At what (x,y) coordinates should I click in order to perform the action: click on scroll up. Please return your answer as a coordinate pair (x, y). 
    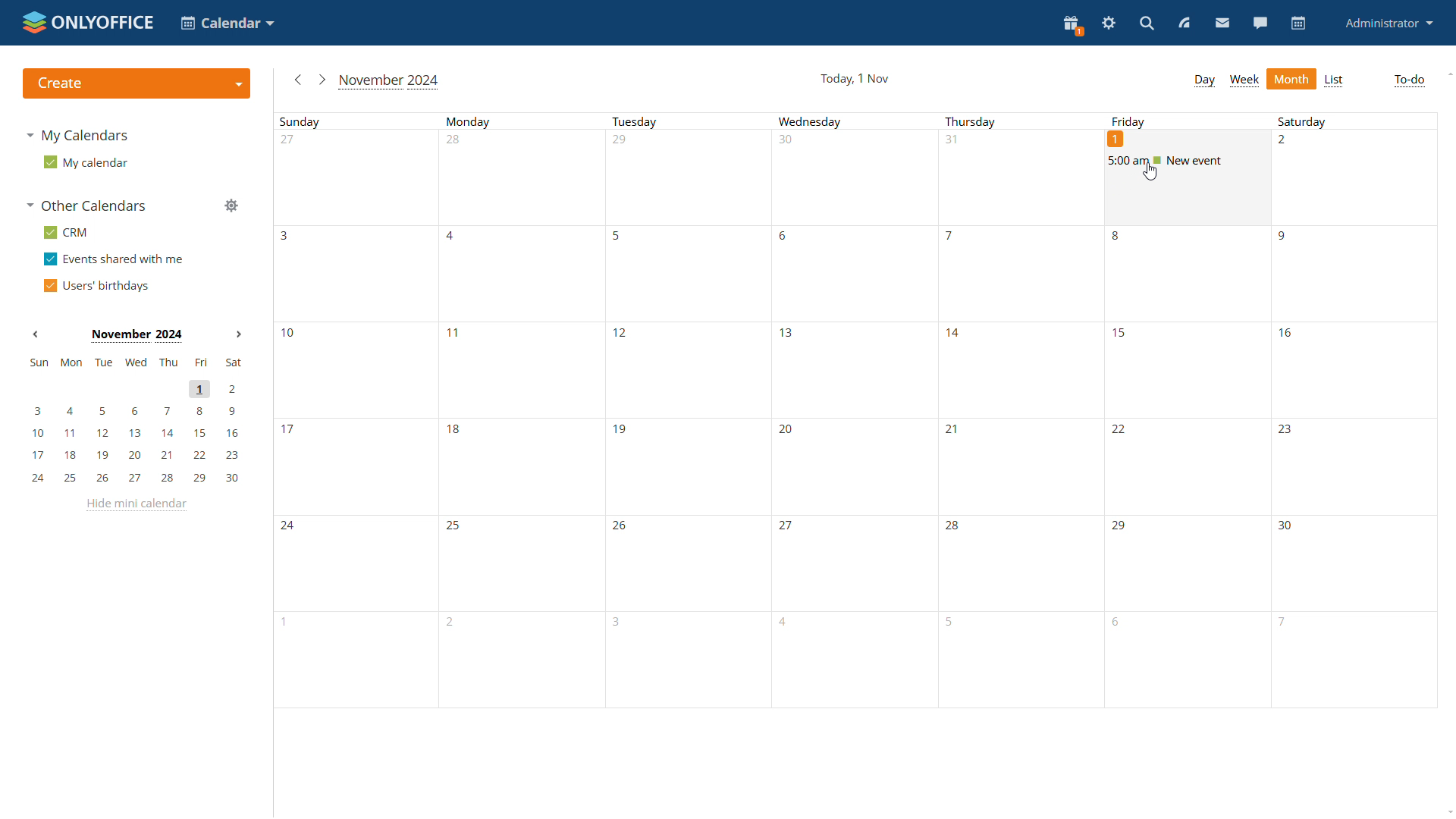
    Looking at the image, I should click on (1449, 73).